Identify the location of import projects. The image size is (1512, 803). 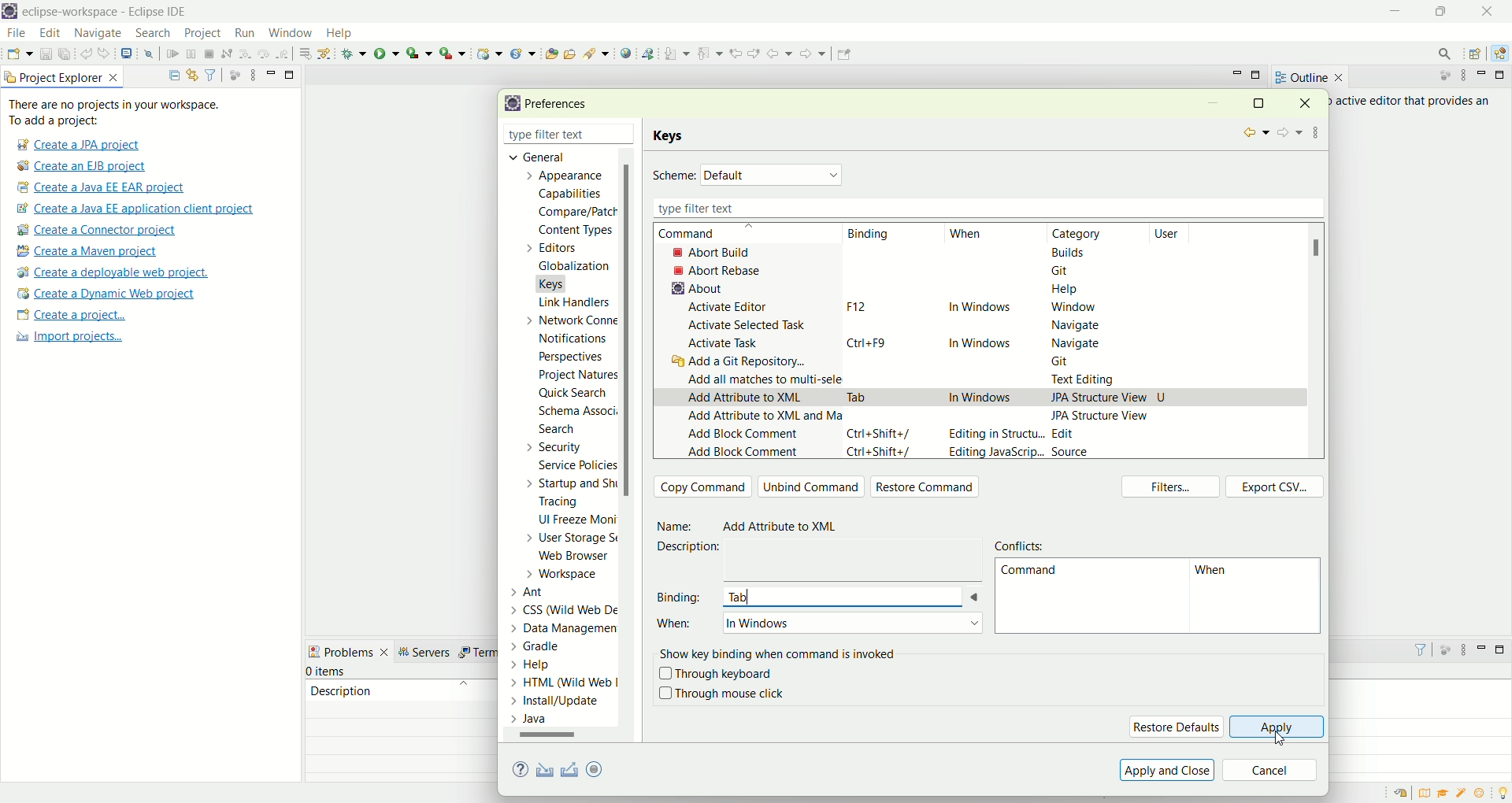
(67, 337).